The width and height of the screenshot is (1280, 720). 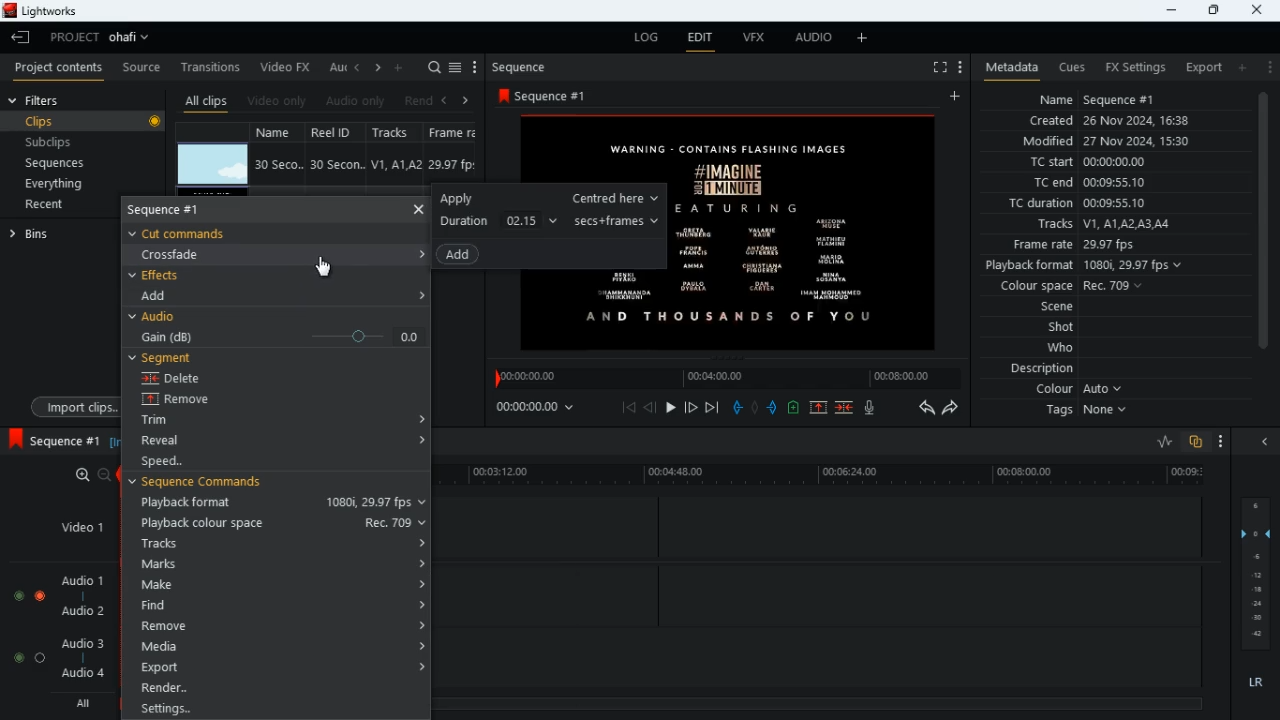 I want to click on timeline, so click(x=819, y=702).